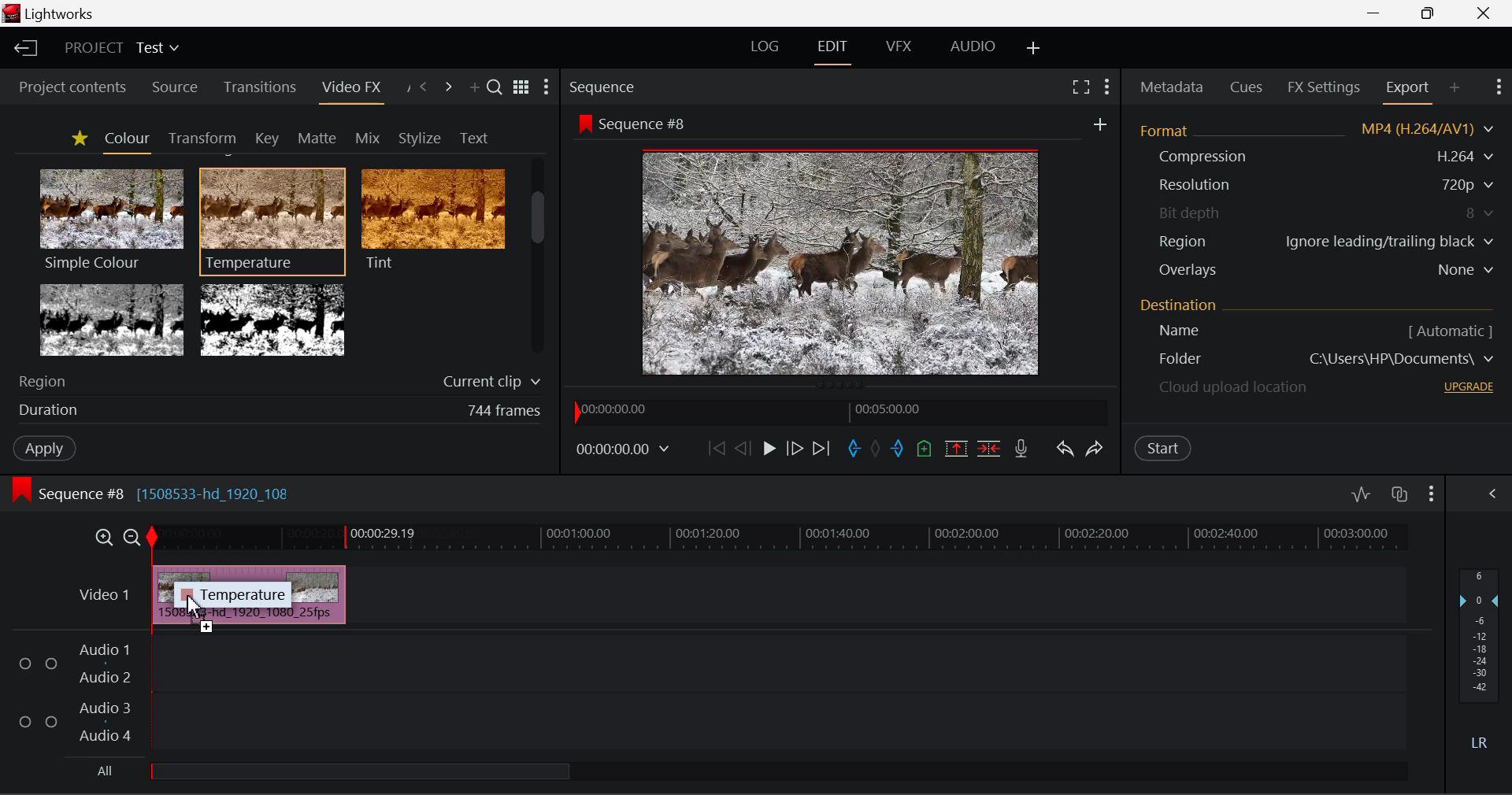 Image resolution: width=1512 pixels, height=795 pixels. What do you see at coordinates (113, 319) in the screenshot?
I see `Tri-tone` at bounding box center [113, 319].